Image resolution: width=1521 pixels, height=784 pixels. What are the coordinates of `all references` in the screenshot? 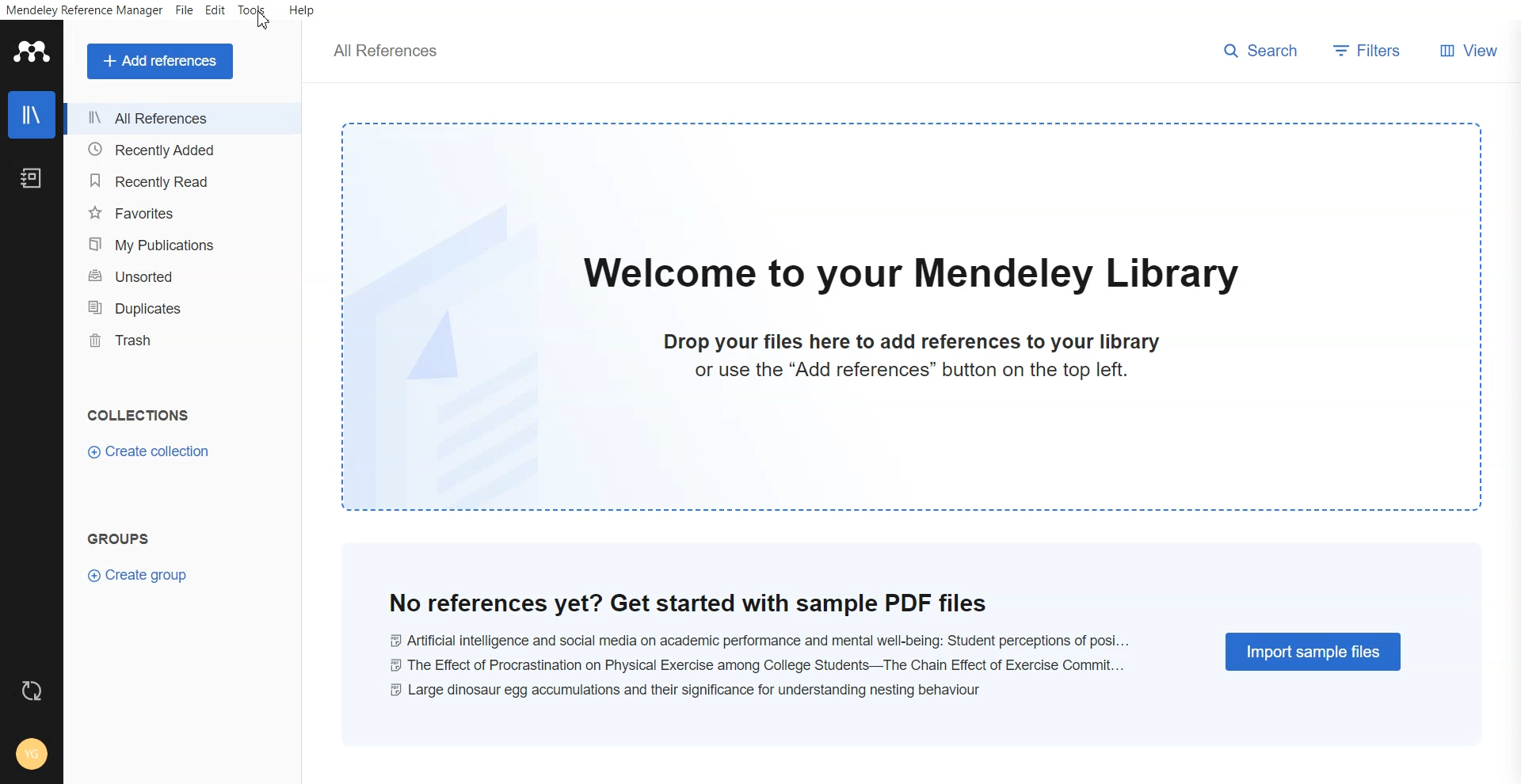 It's located at (387, 51).